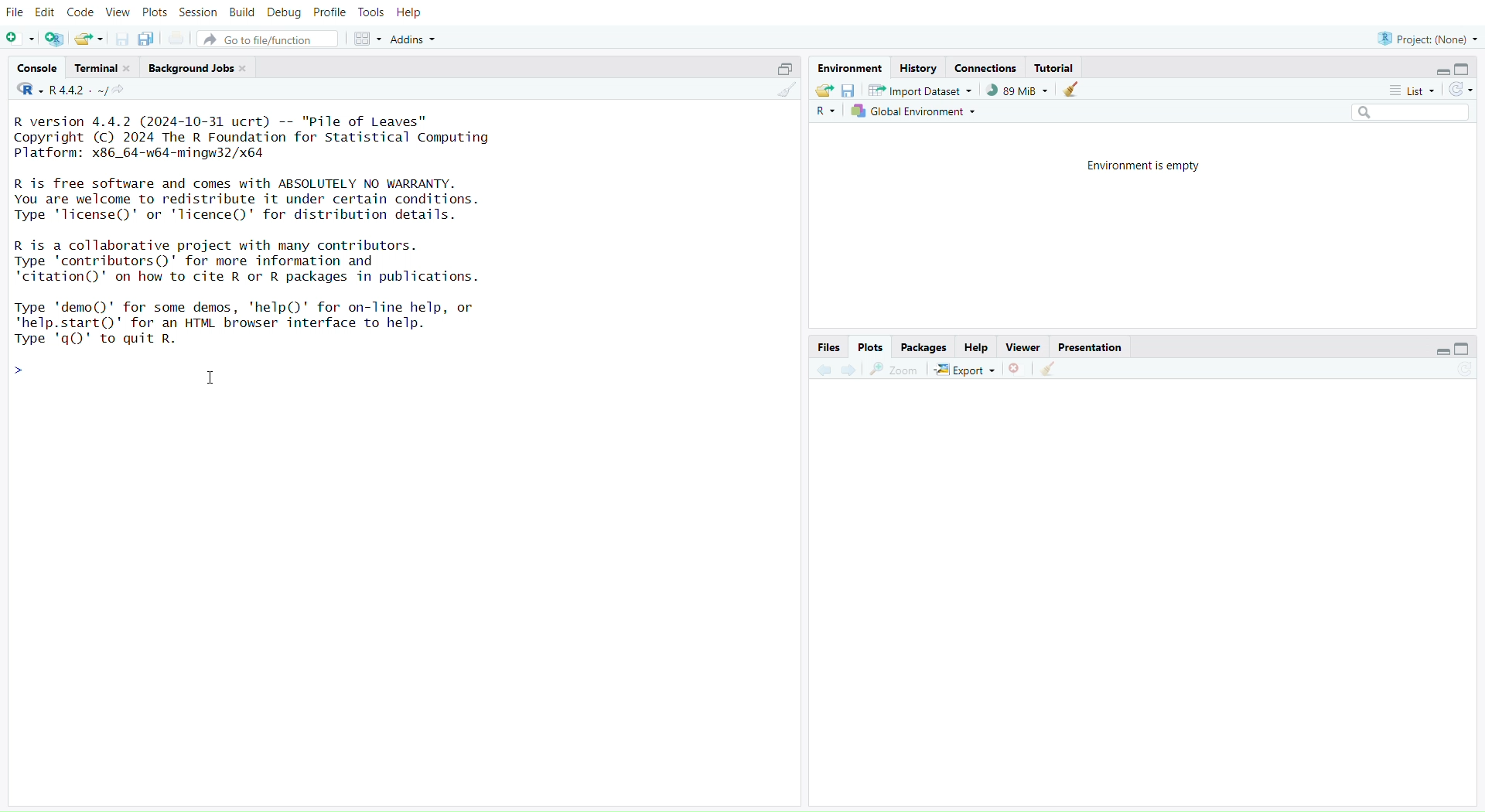 This screenshot has height=812, width=1485. I want to click on Files, so click(828, 346).